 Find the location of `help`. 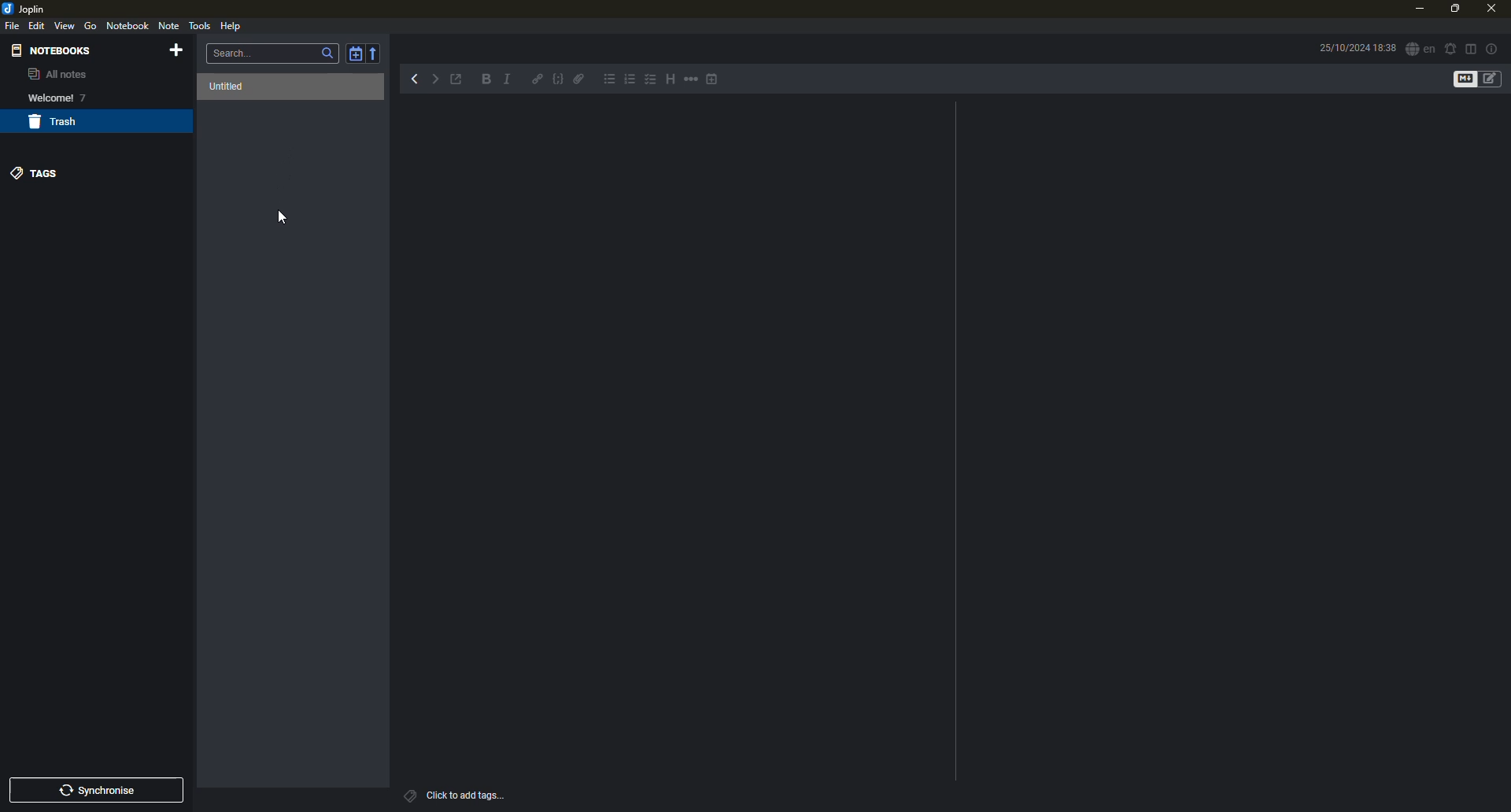

help is located at coordinates (231, 25).